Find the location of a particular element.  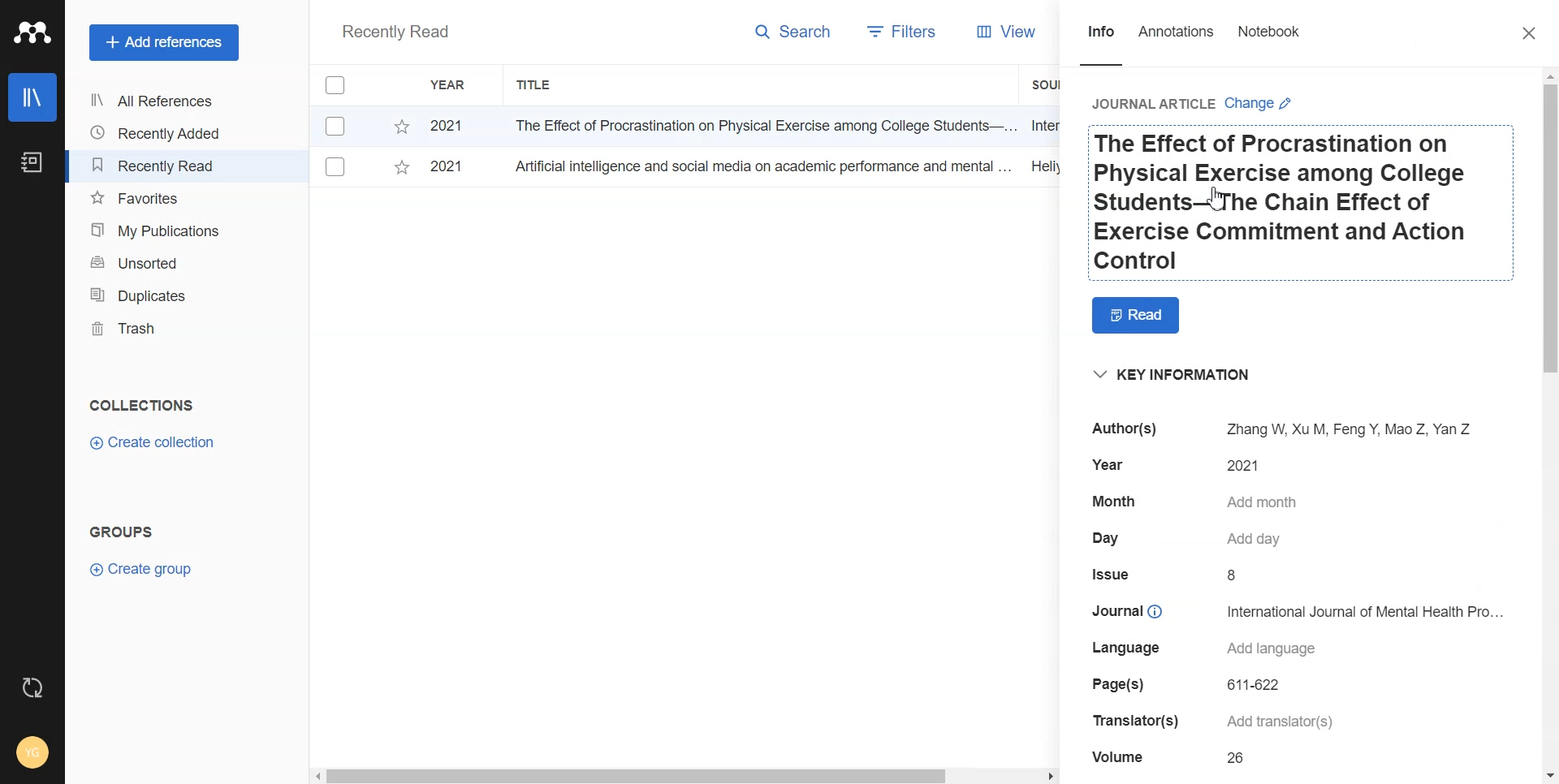

Checkbox is located at coordinates (339, 125).